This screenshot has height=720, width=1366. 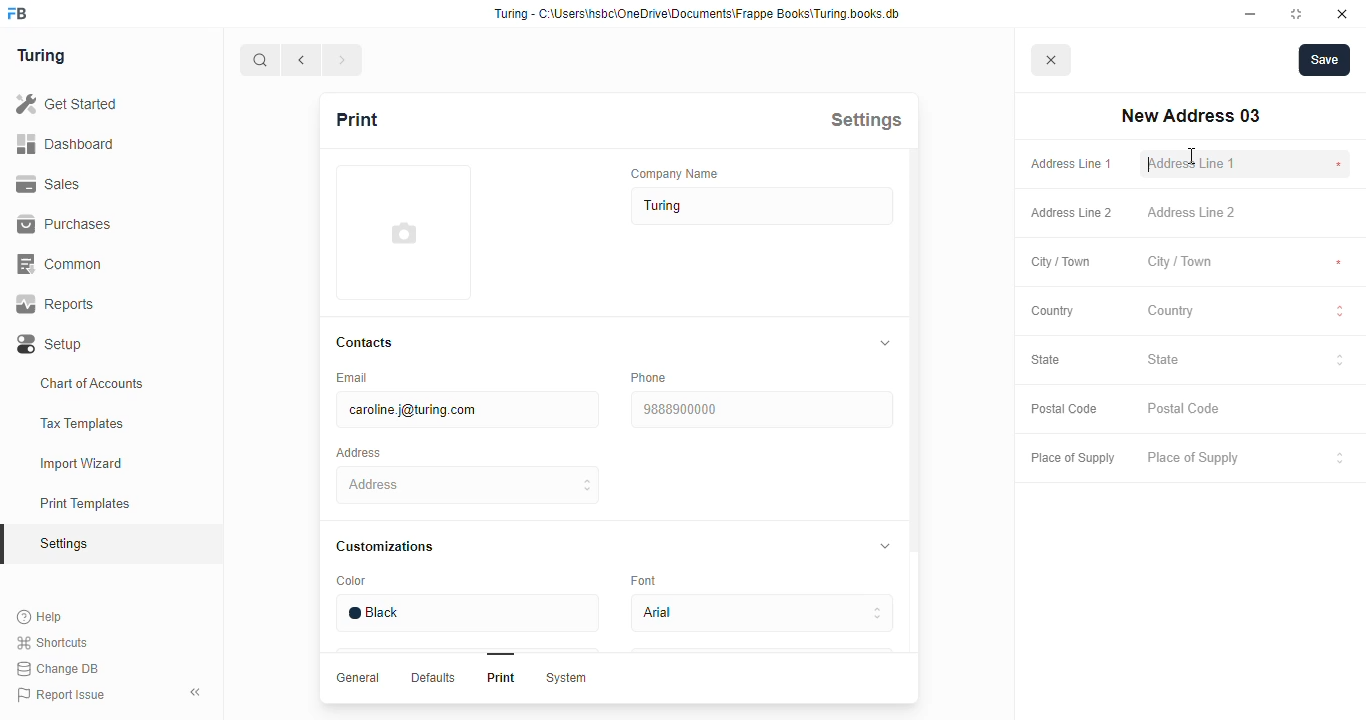 What do you see at coordinates (1342, 14) in the screenshot?
I see `close` at bounding box center [1342, 14].